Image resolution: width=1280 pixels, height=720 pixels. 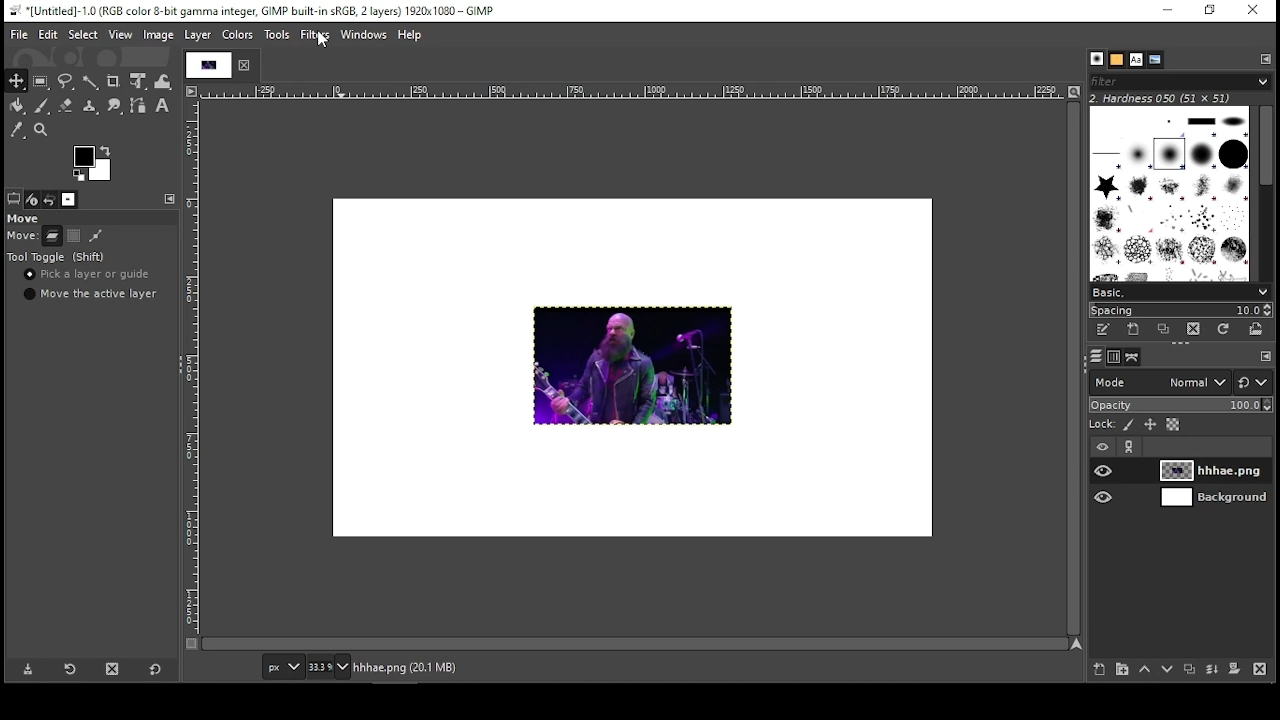 What do you see at coordinates (1132, 329) in the screenshot?
I see `create a new brush` at bounding box center [1132, 329].